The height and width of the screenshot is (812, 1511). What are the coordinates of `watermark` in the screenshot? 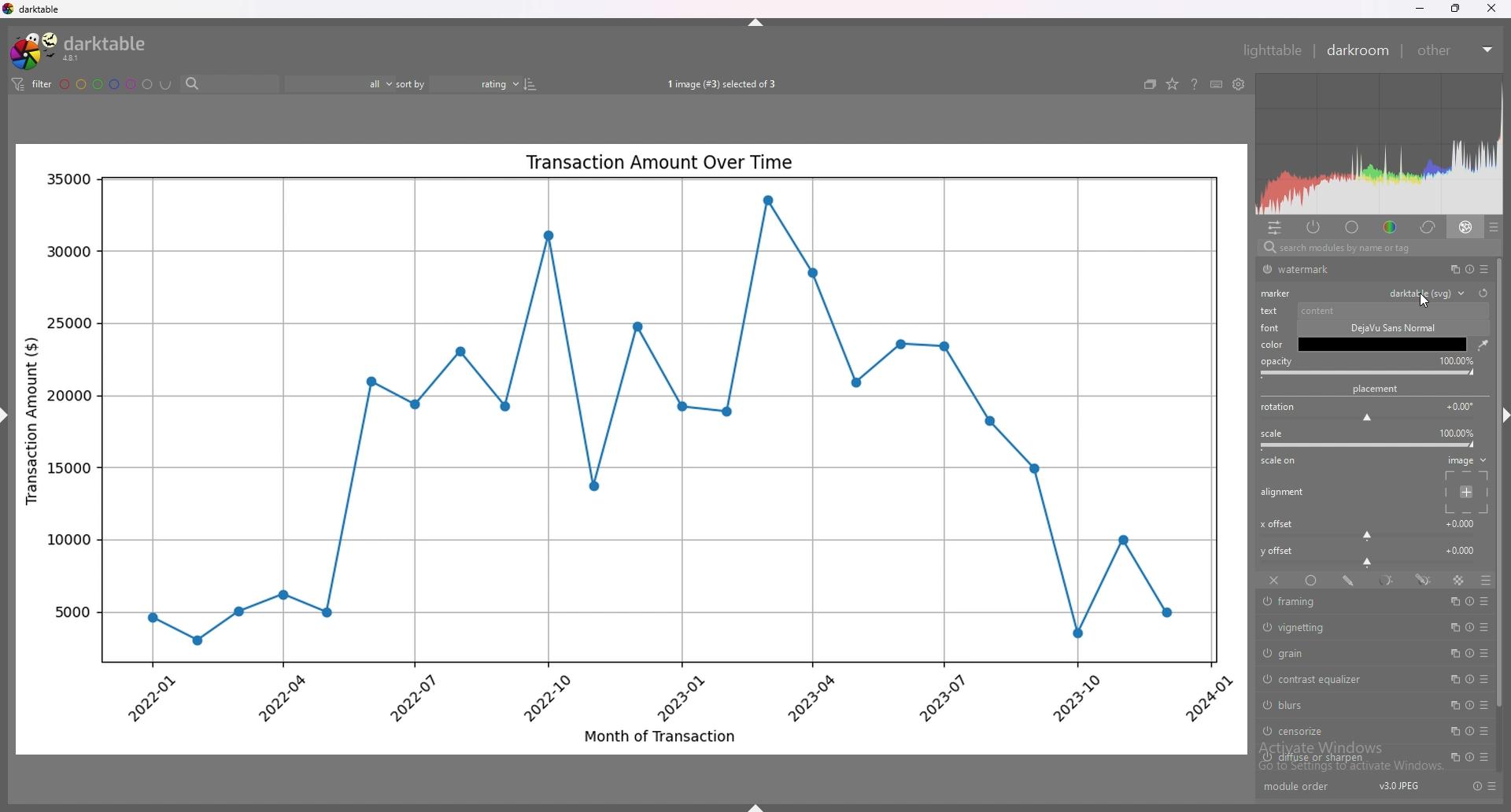 It's located at (1348, 269).